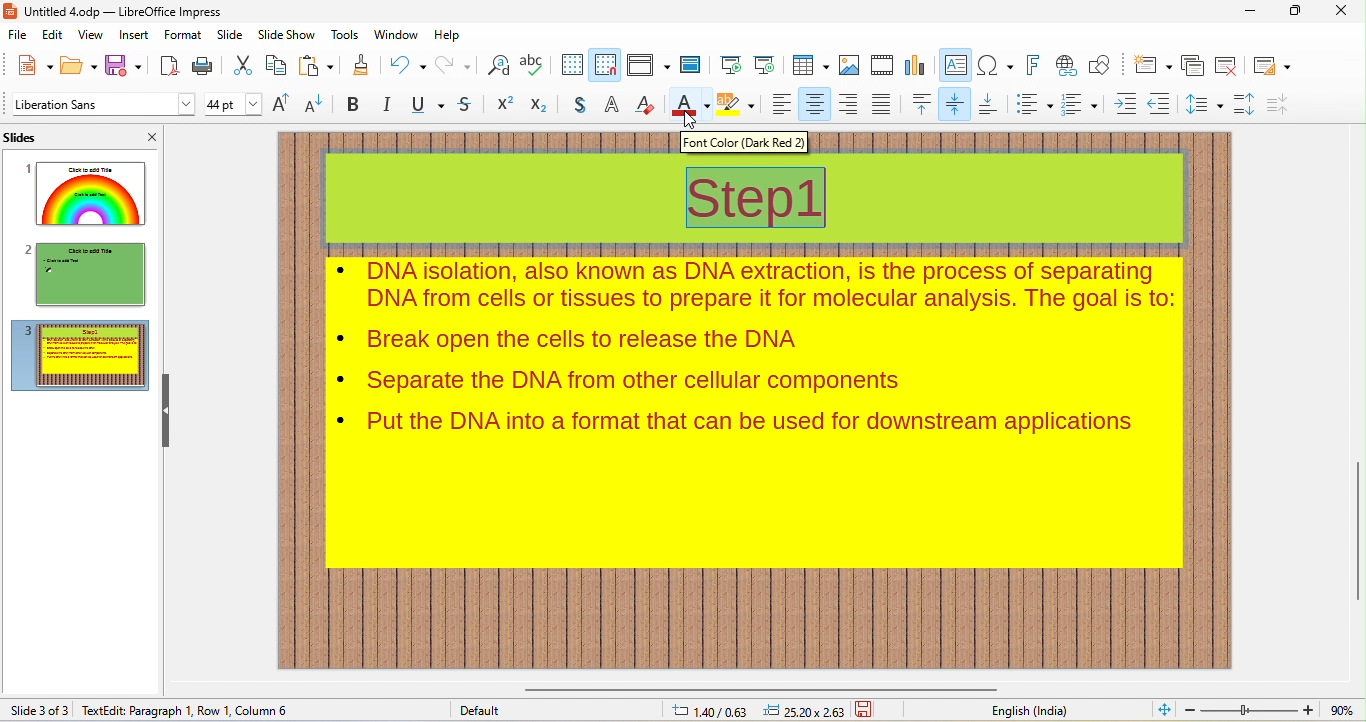 Image resolution: width=1366 pixels, height=722 pixels. Describe the element at coordinates (994, 65) in the screenshot. I see `insert special characters` at that location.